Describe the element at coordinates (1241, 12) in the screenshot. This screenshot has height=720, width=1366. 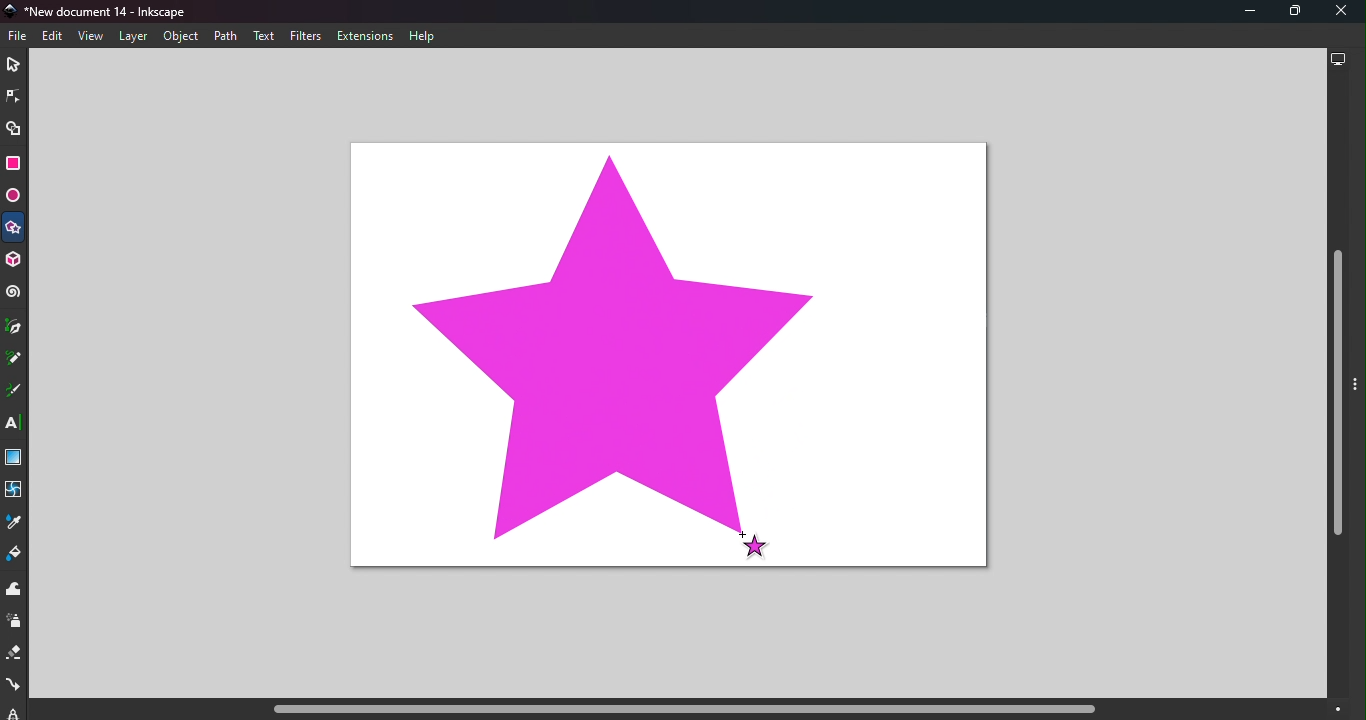
I see `Minimize ` at that location.